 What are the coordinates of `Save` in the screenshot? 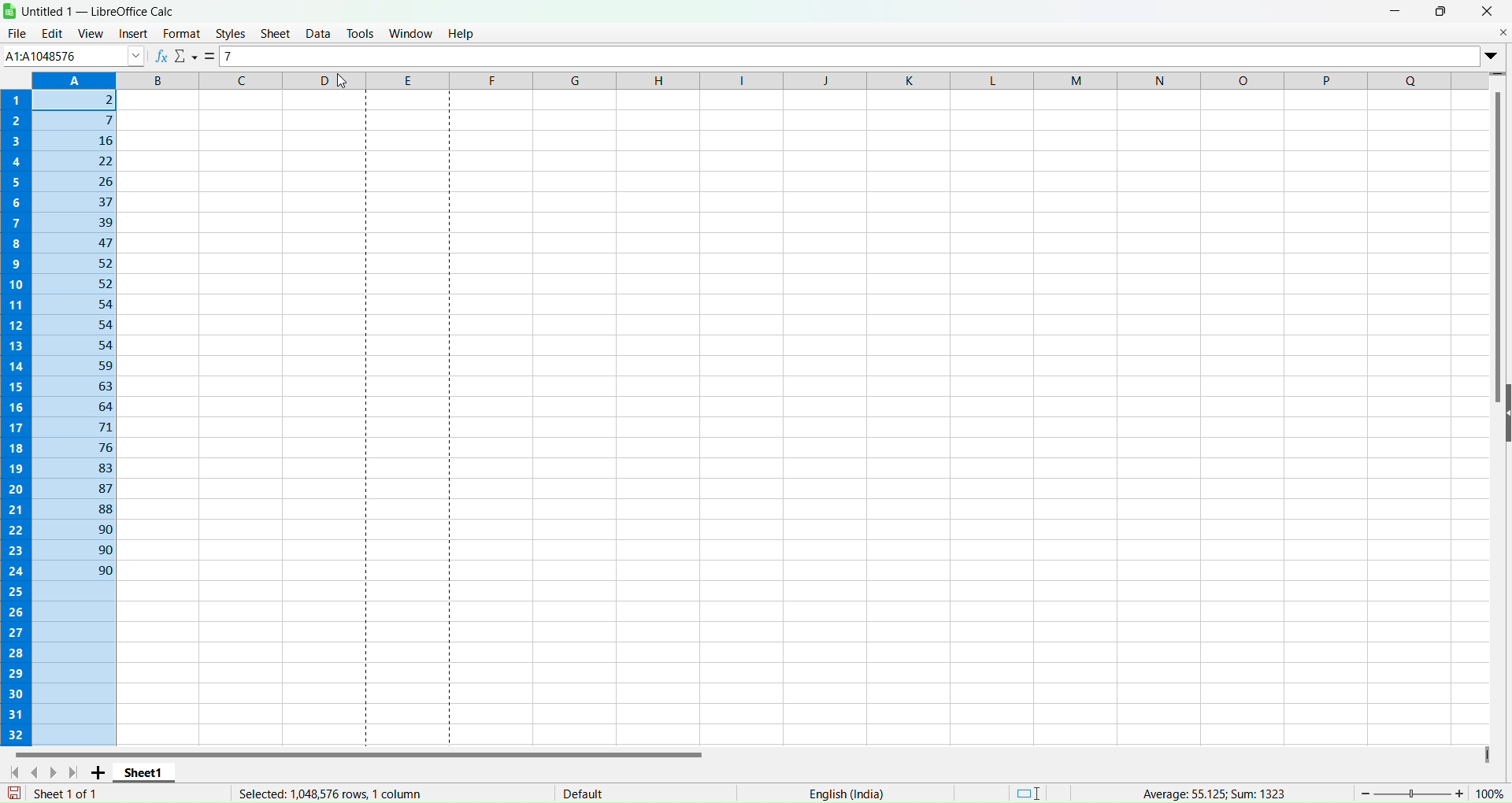 It's located at (17, 793).